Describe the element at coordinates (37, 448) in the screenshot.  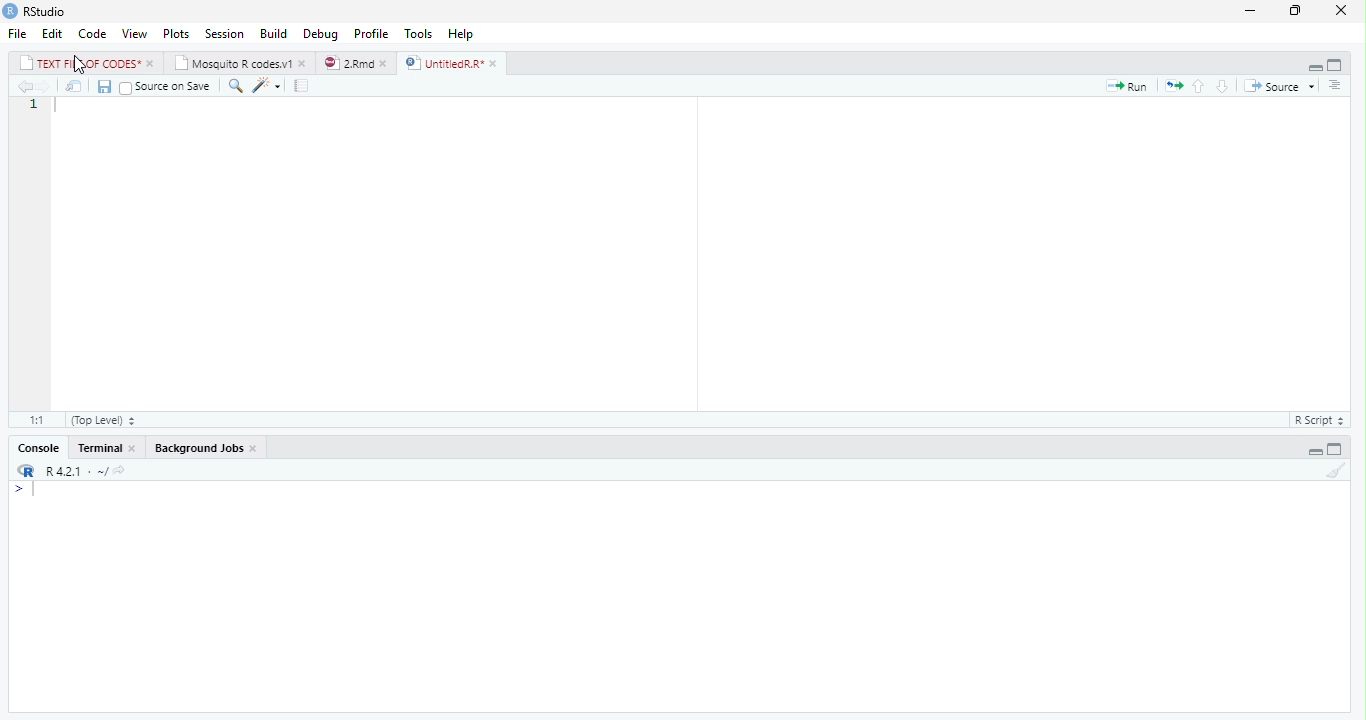
I see `Console` at that location.